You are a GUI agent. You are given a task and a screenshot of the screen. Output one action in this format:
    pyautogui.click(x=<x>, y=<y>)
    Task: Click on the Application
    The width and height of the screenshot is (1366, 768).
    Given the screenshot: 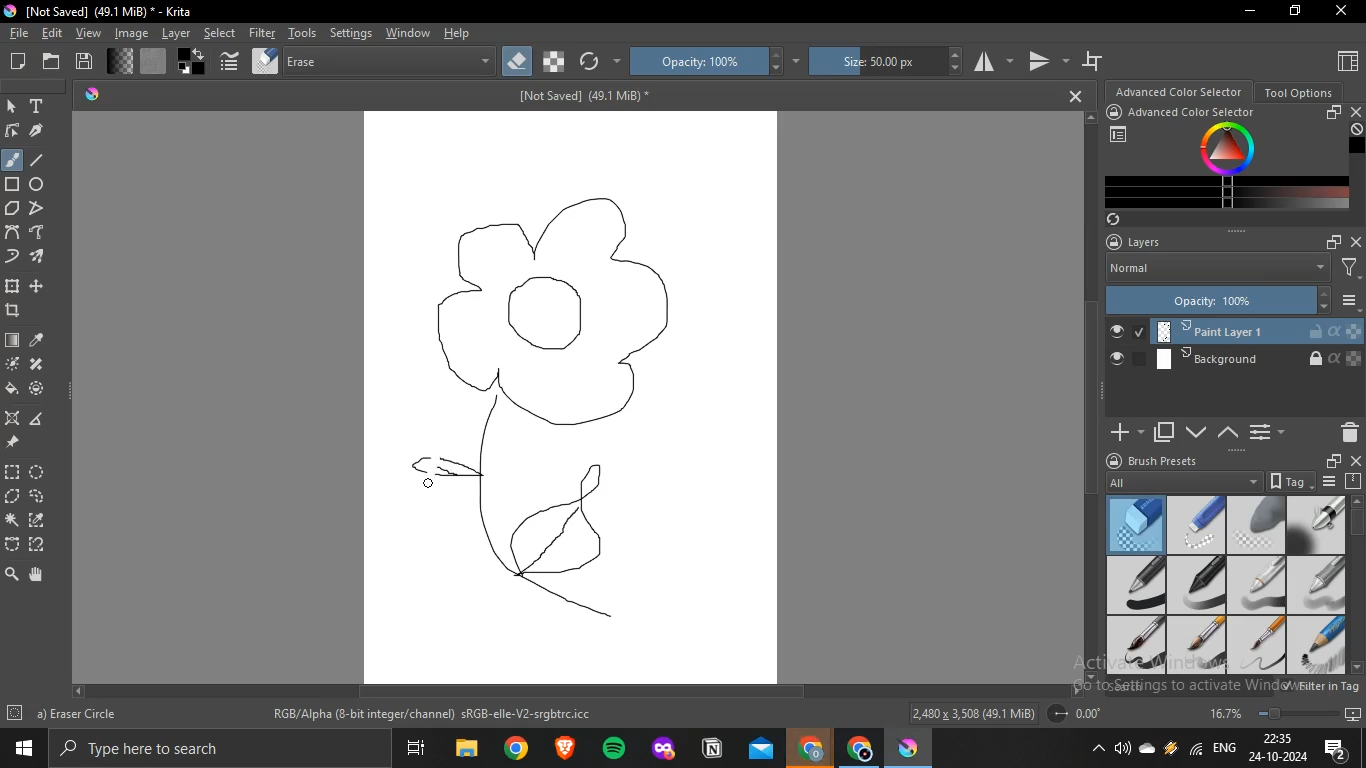 What is the action you would take?
    pyautogui.click(x=912, y=747)
    